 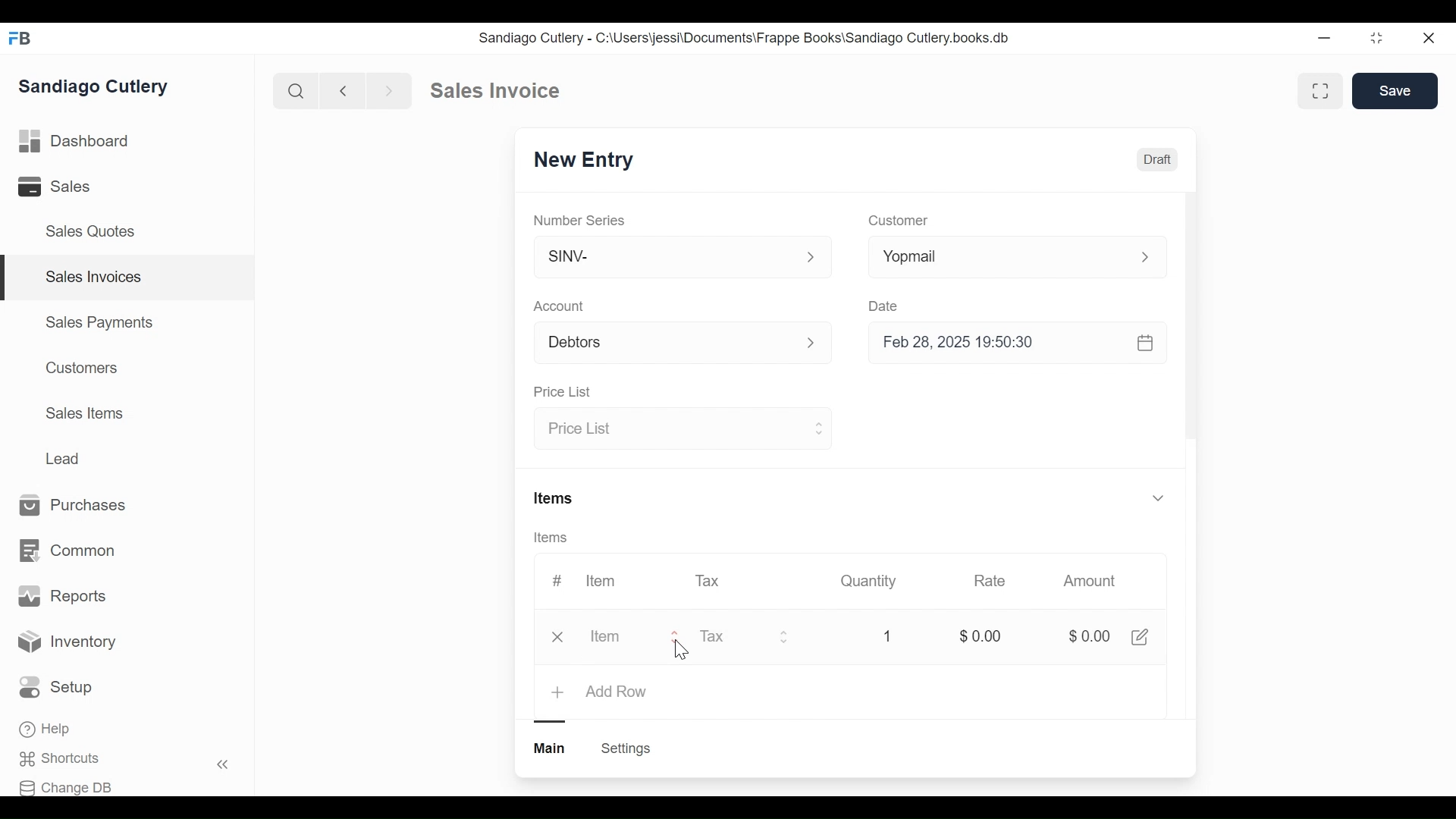 I want to click on 1 , so click(x=887, y=635).